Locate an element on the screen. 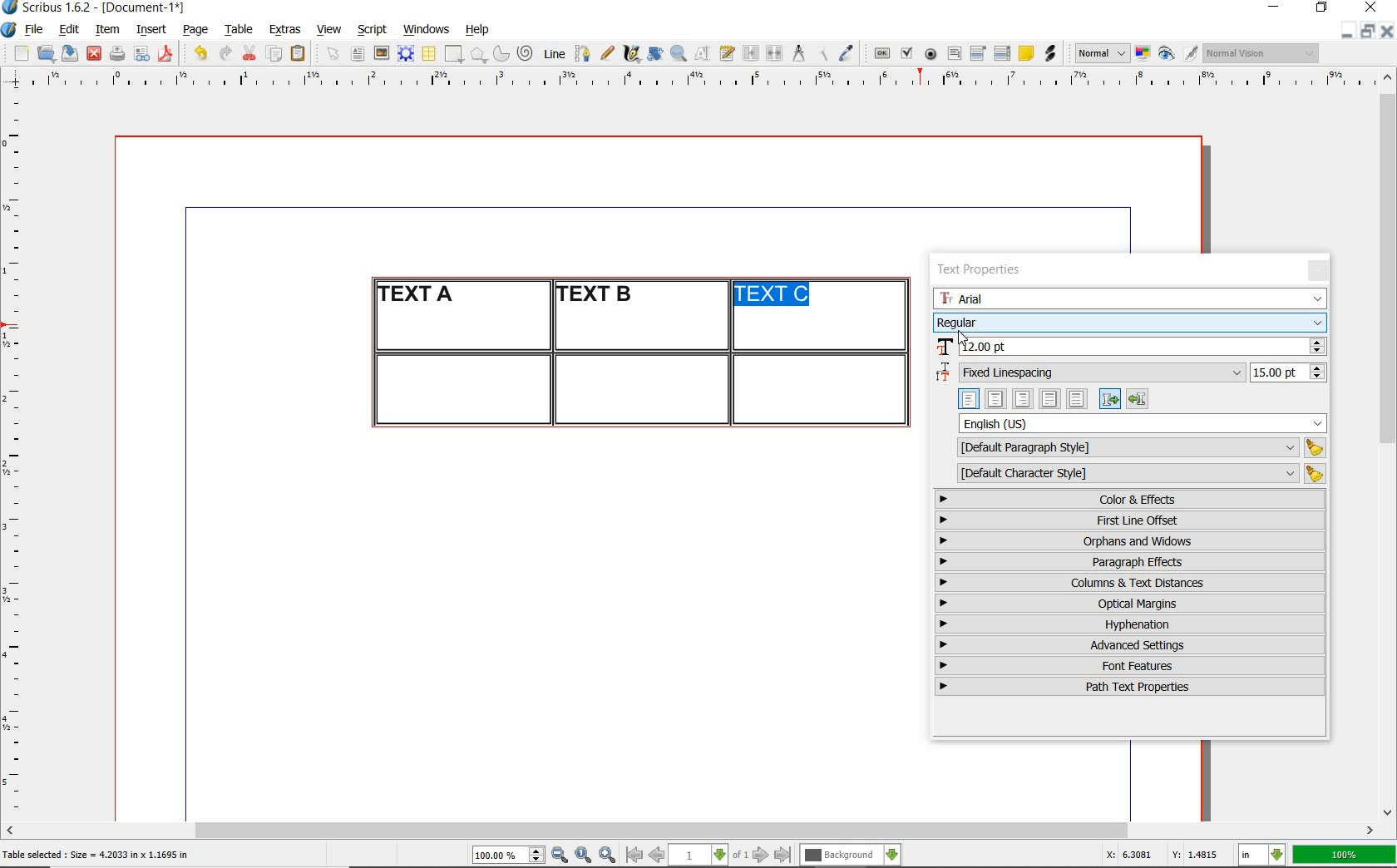 The image size is (1397, 868). ruler is located at coordinates (18, 454).